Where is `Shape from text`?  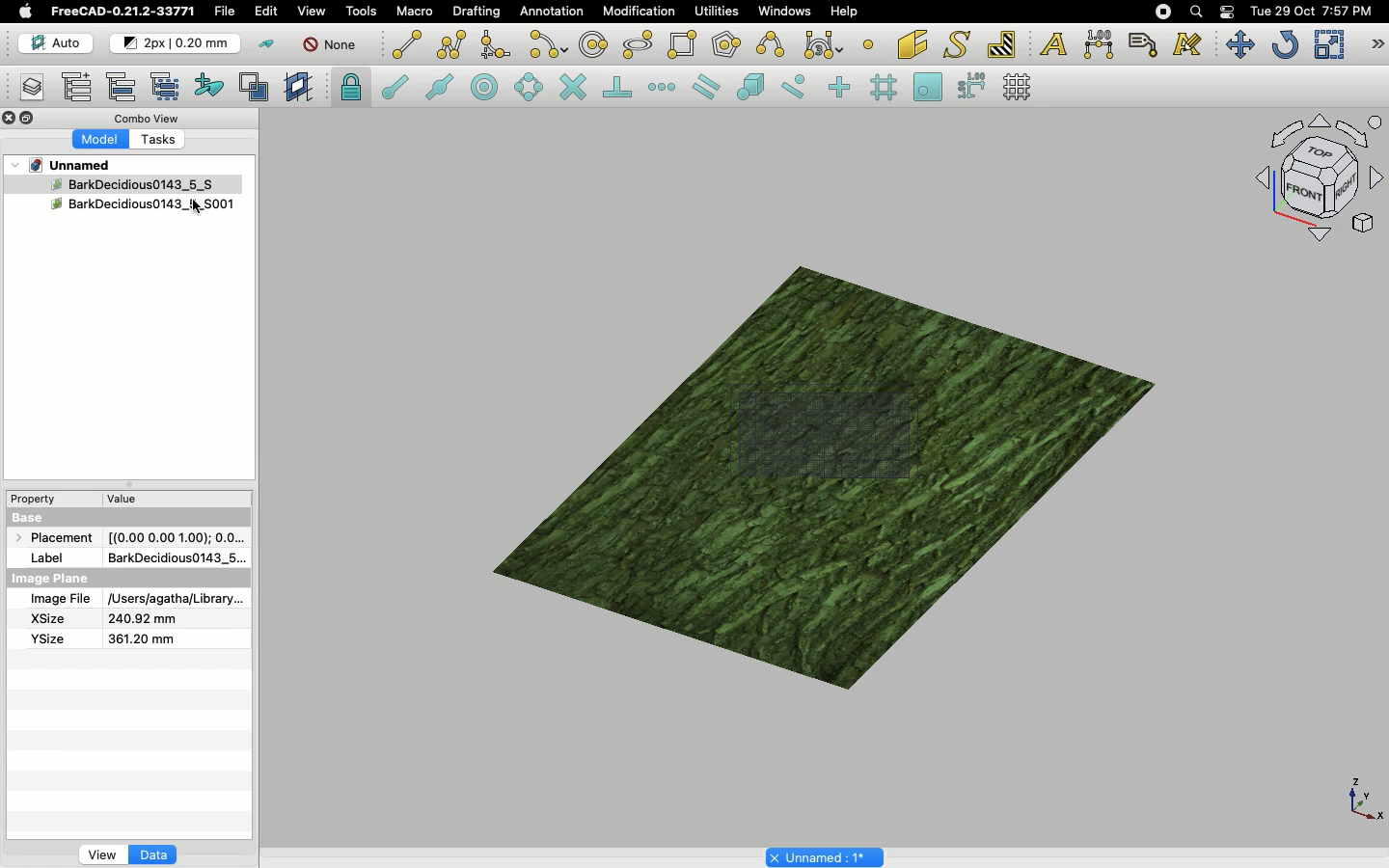
Shape from text is located at coordinates (960, 46).